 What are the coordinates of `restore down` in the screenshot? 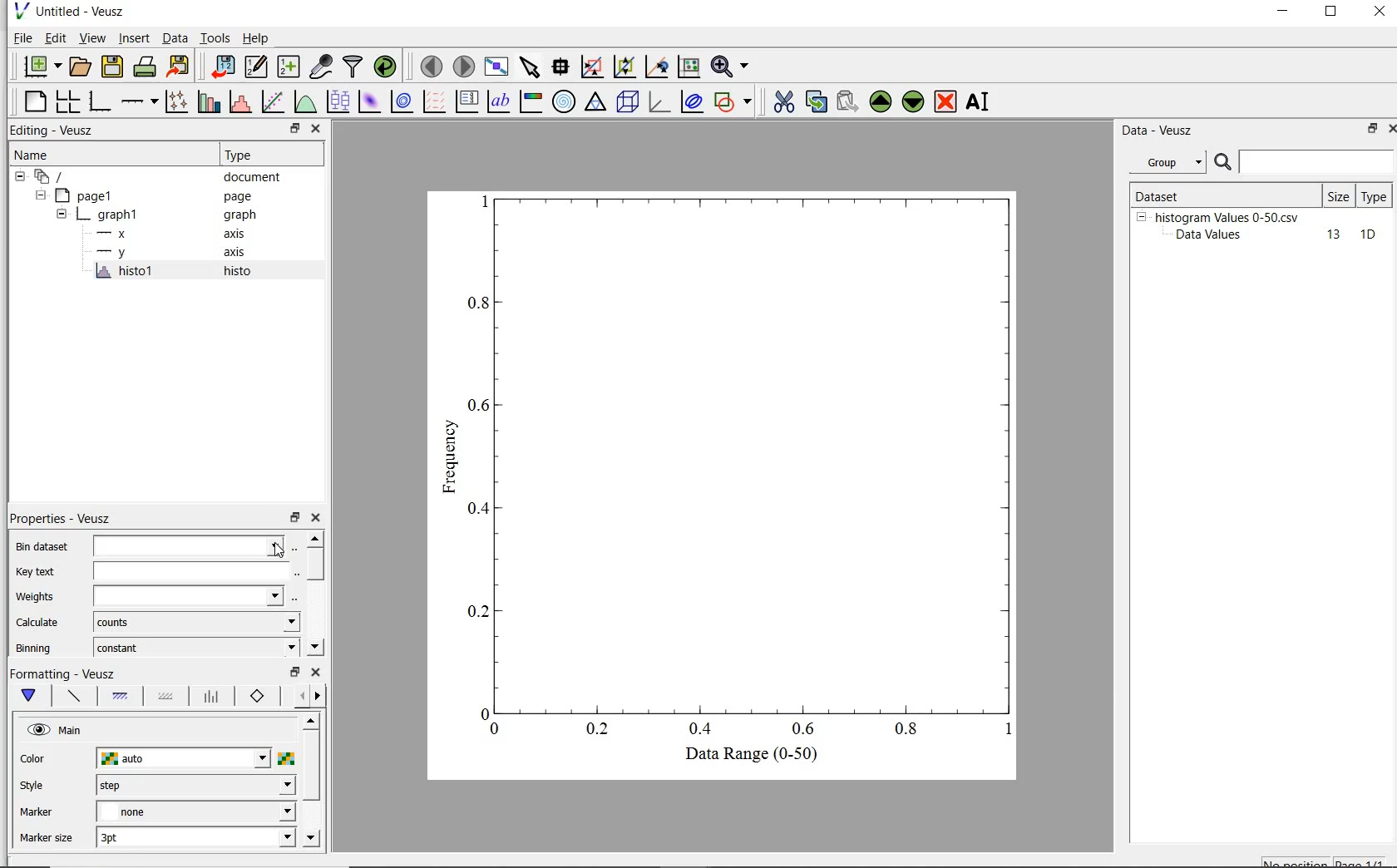 It's located at (294, 518).